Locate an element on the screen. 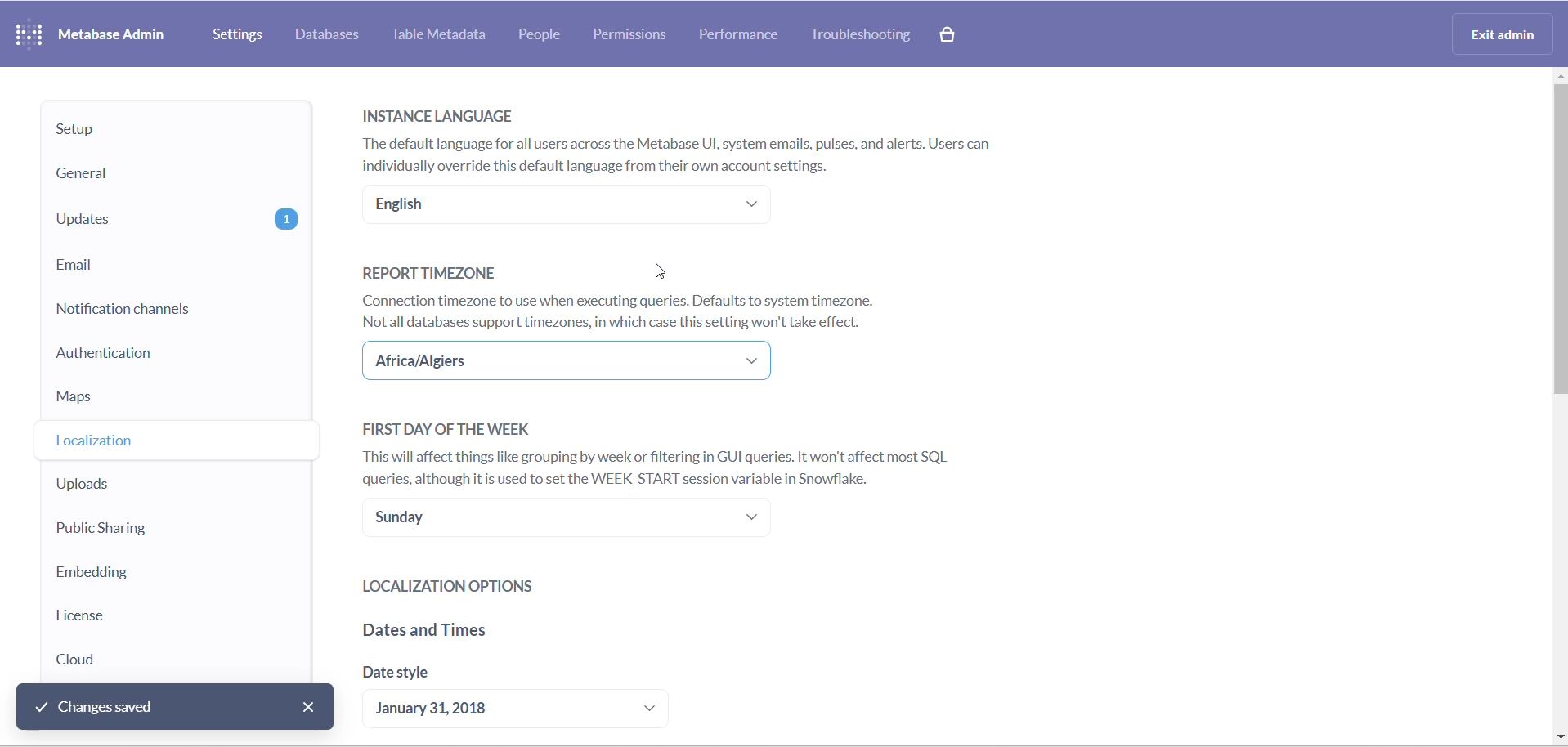 The width and height of the screenshot is (1568, 747). MAPS is located at coordinates (173, 402).